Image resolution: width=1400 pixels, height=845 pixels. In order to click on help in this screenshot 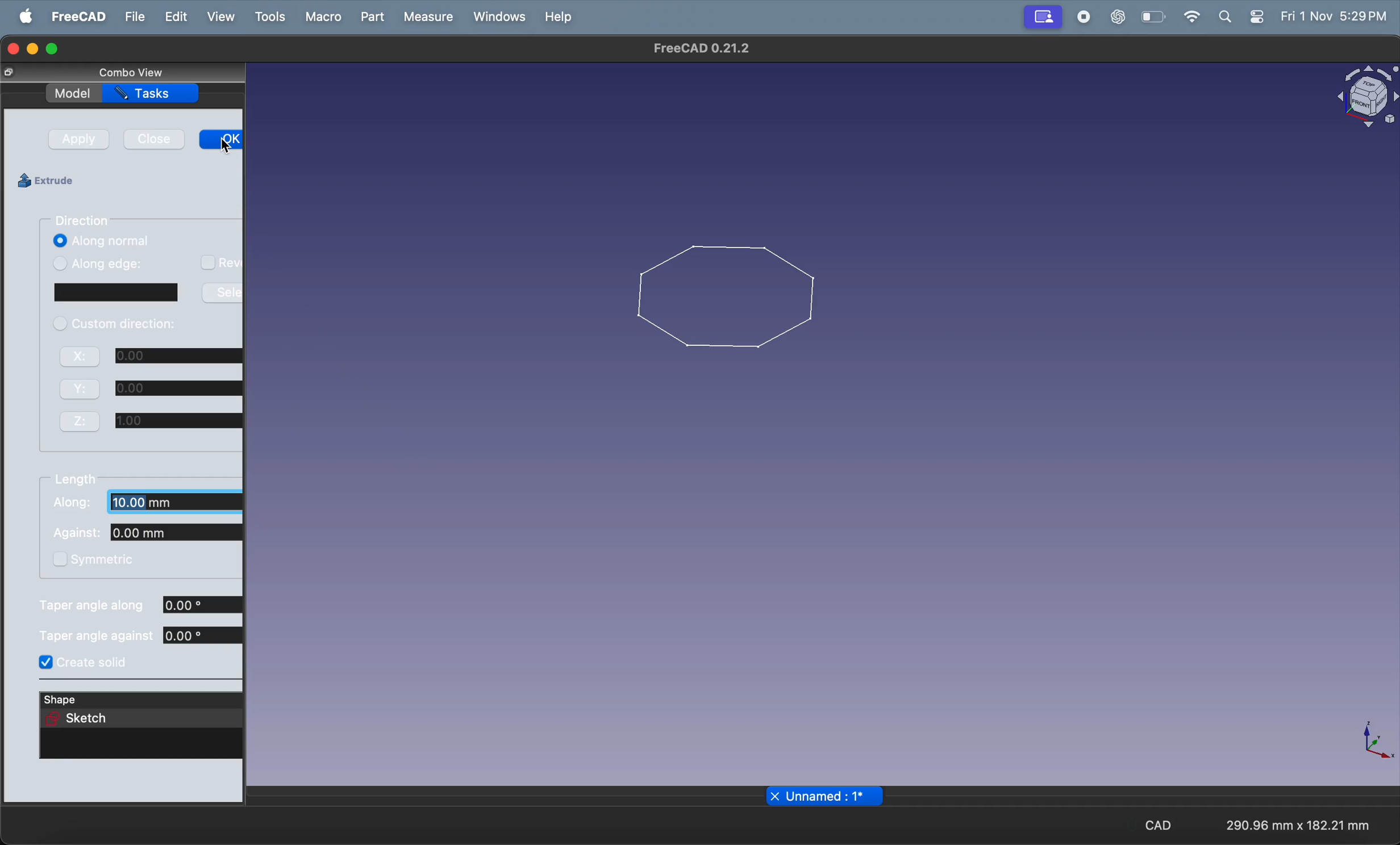, I will do `click(559, 16)`.